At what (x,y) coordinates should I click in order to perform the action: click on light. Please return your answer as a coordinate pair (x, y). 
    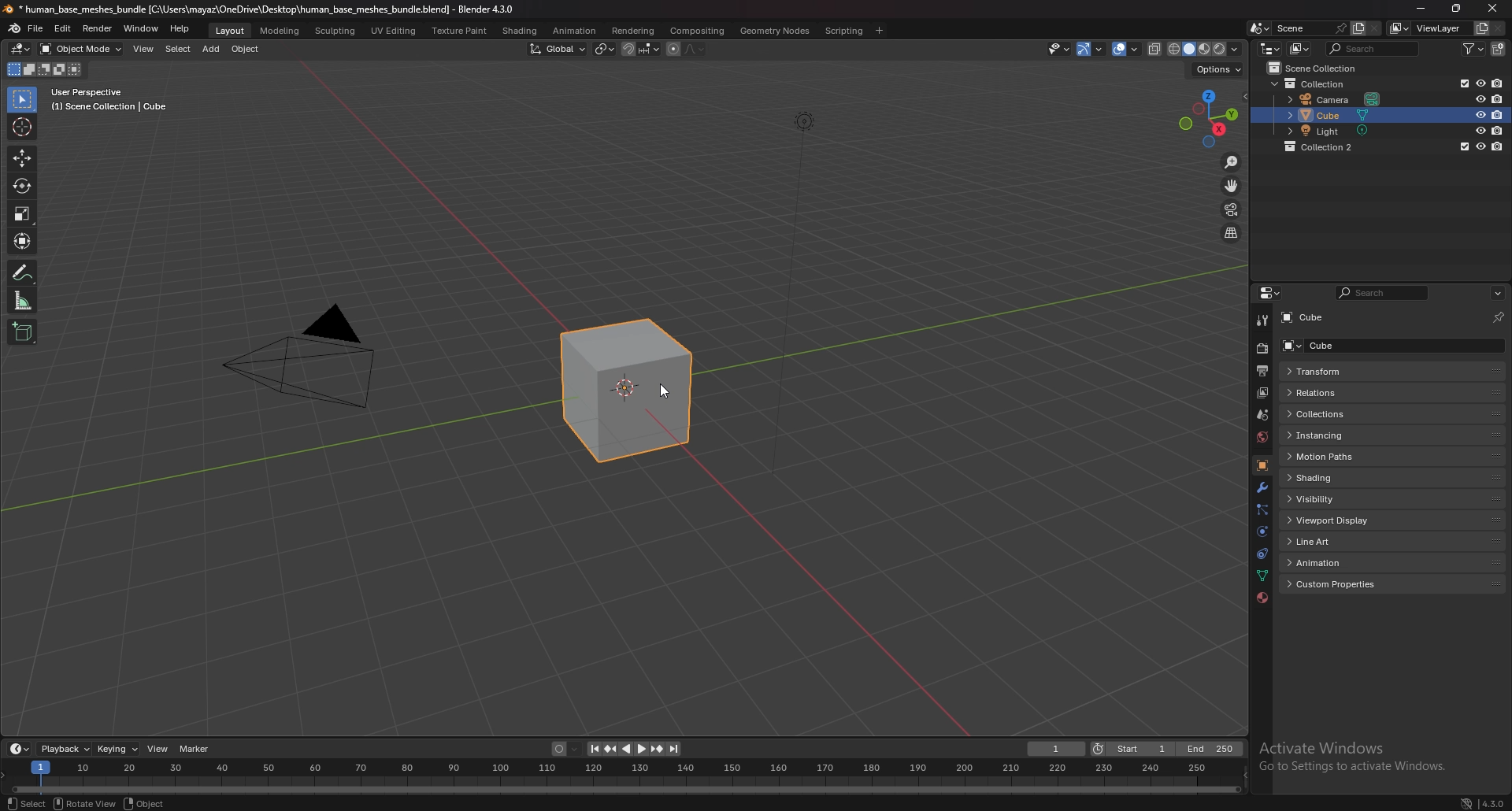
    Looking at the image, I should click on (1341, 130).